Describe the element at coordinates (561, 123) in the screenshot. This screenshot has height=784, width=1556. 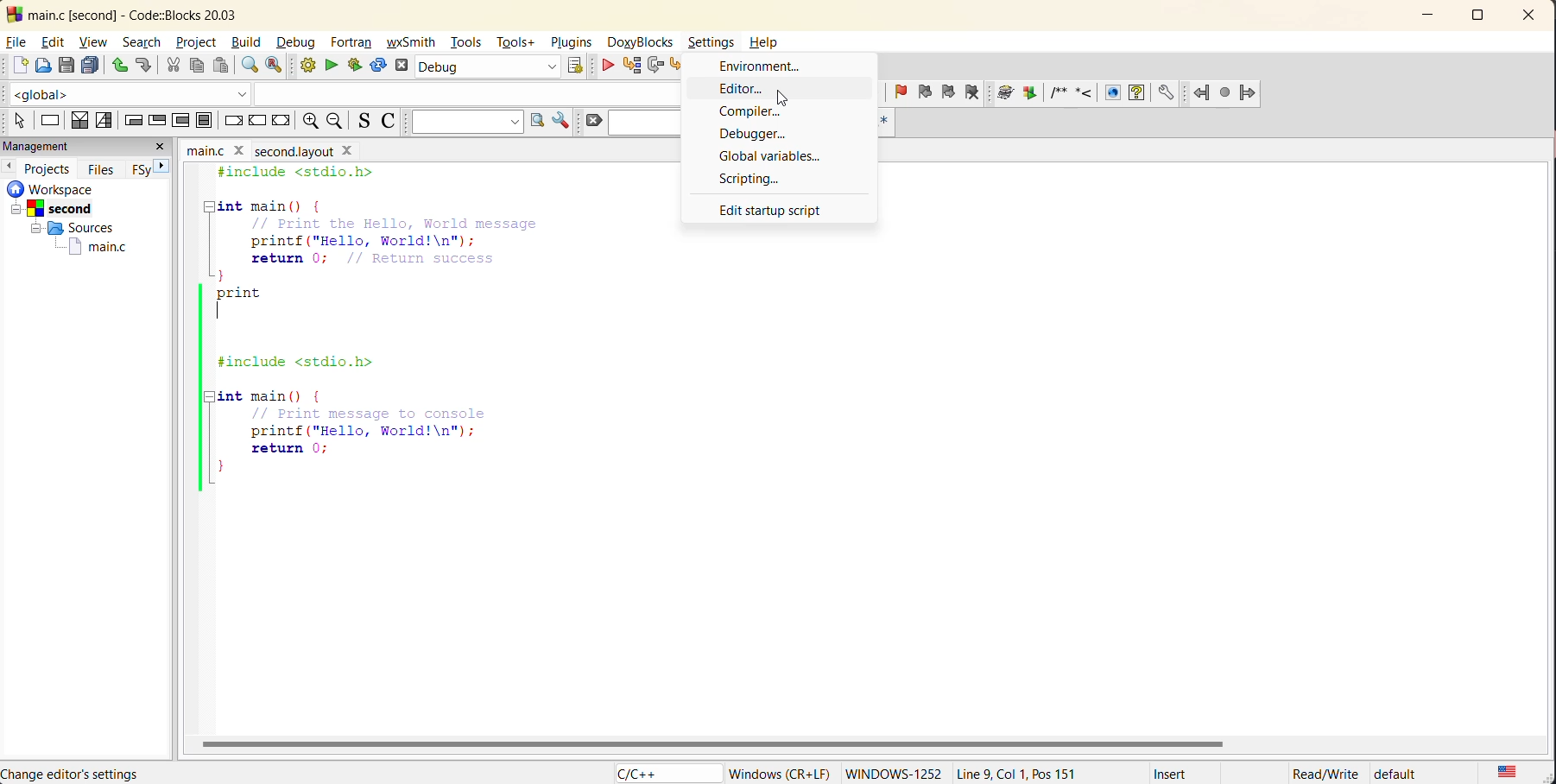
I see `show options window` at that location.